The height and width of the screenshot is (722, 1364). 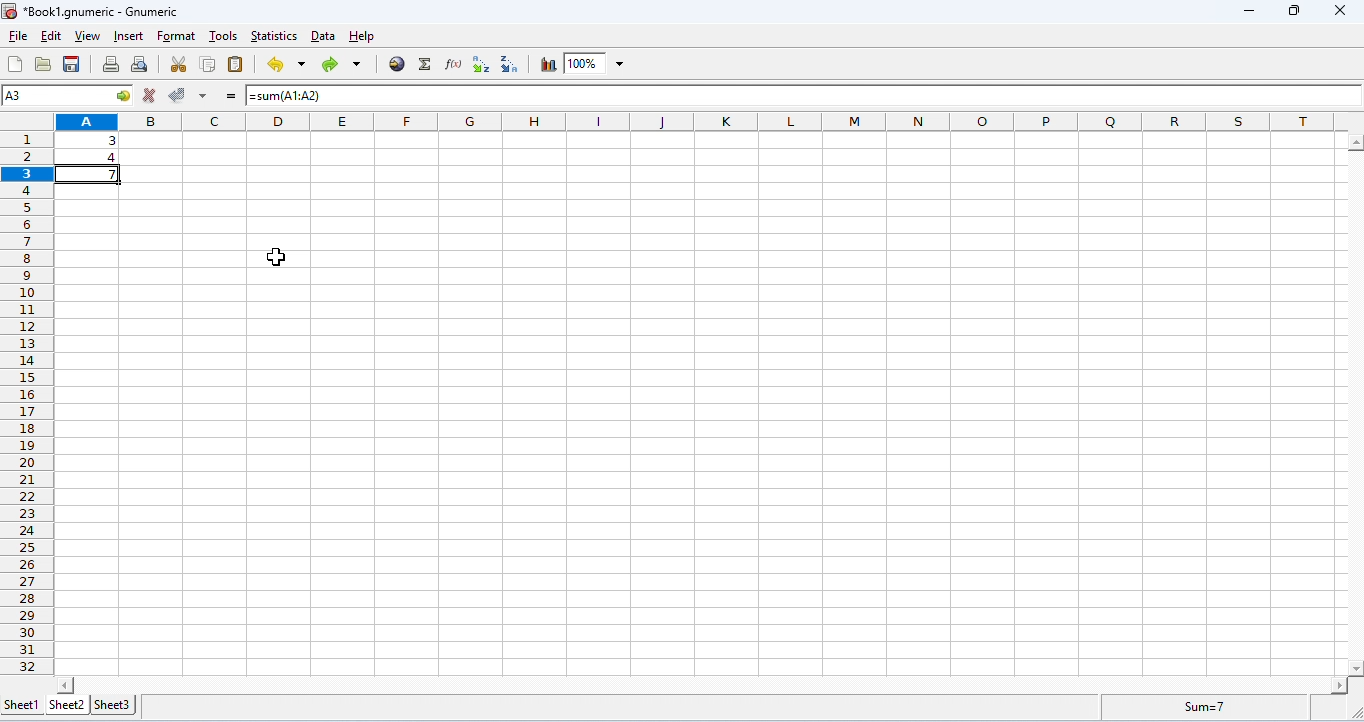 I want to click on copy, so click(x=209, y=65).